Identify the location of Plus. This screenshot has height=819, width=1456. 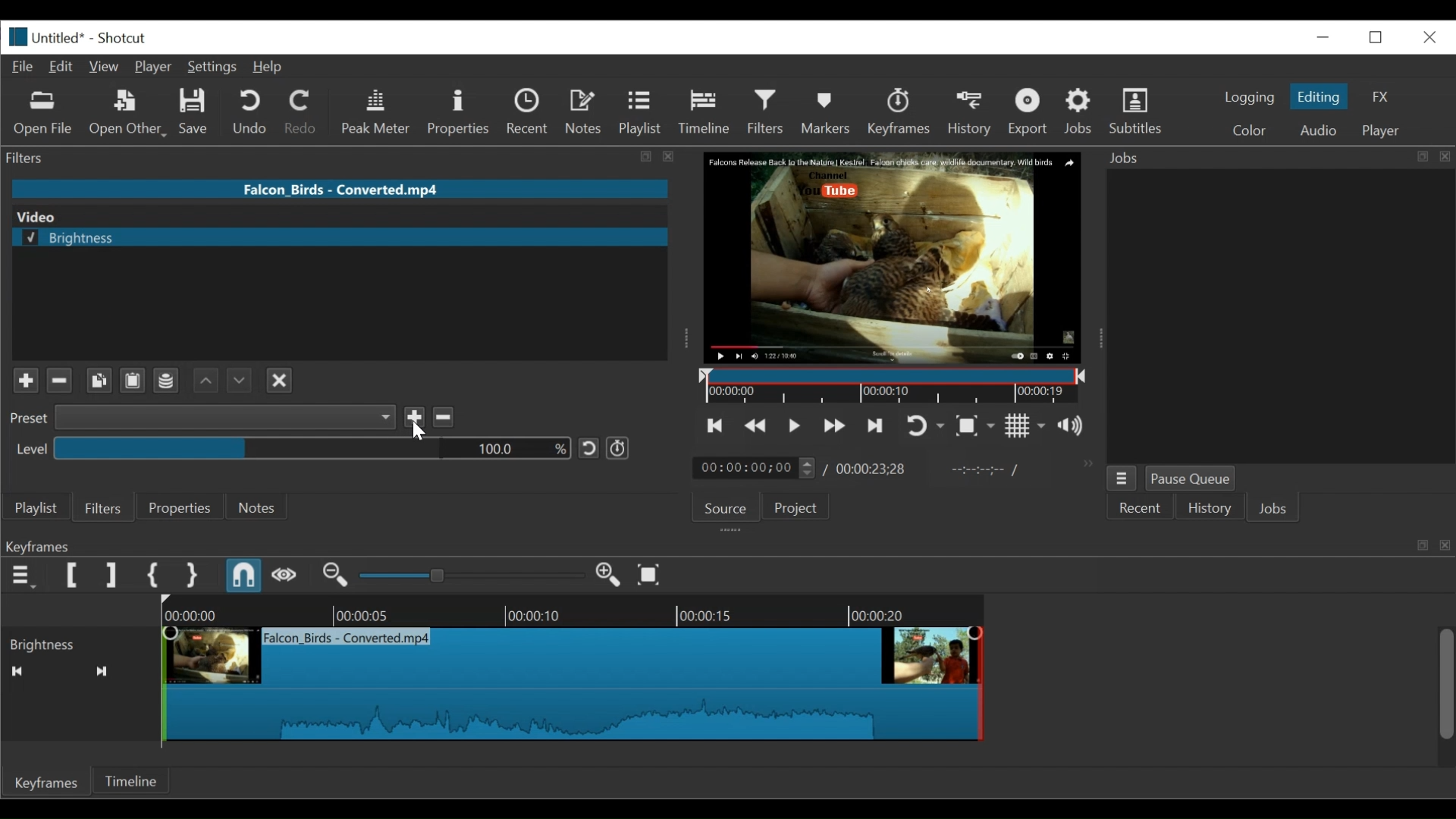
(20, 377).